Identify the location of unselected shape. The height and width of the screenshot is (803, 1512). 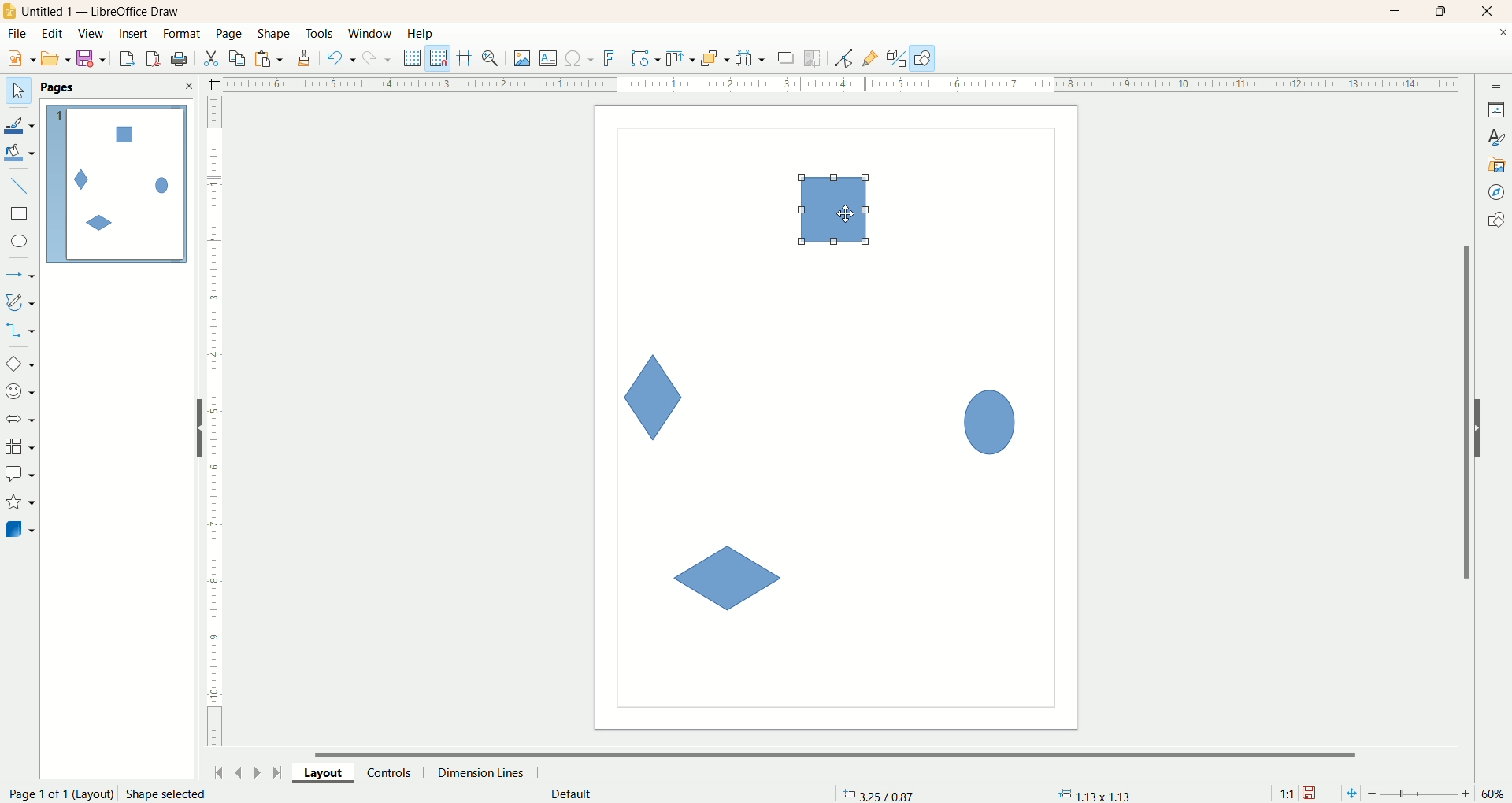
(654, 397).